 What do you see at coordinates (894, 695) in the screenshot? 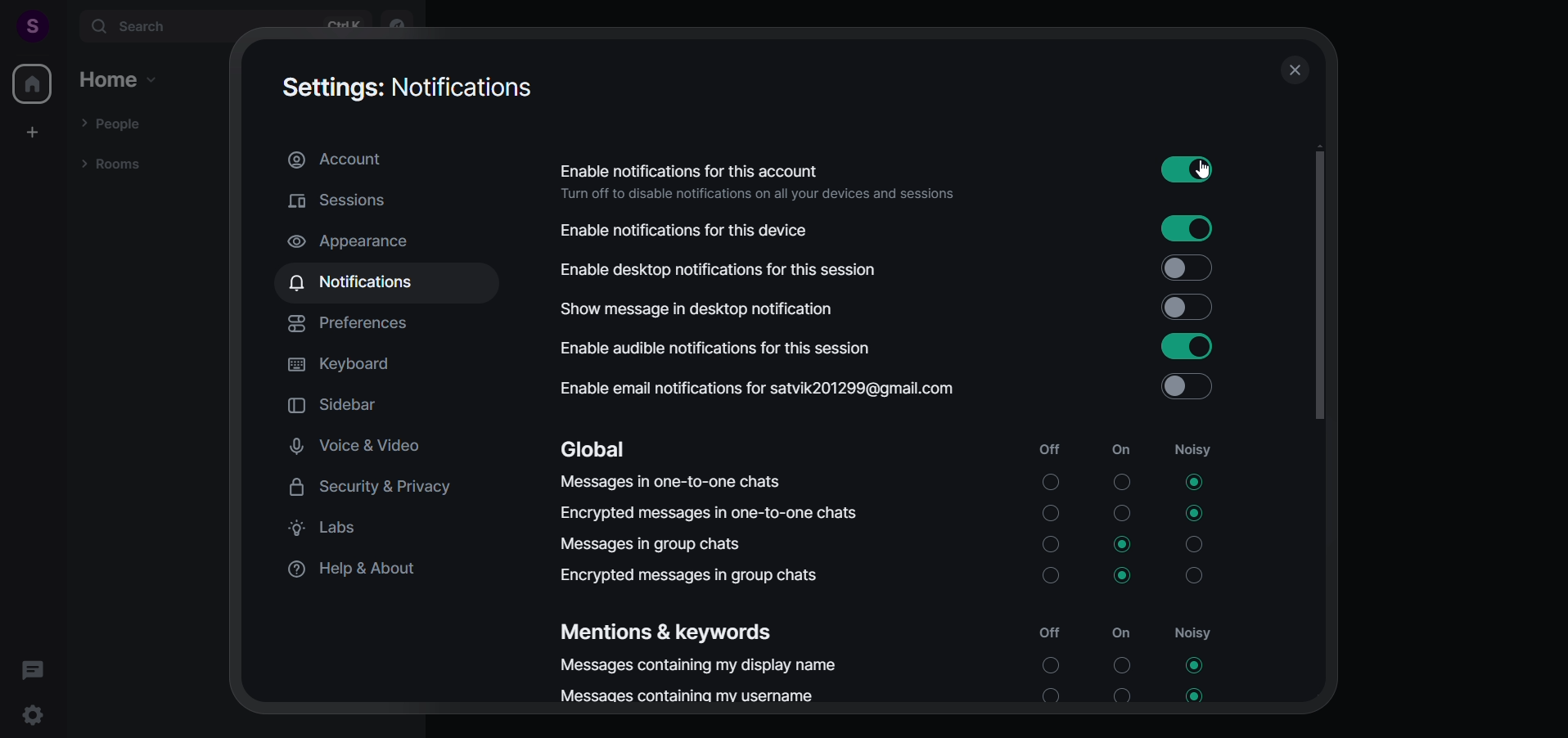
I see `message containing my username` at bounding box center [894, 695].